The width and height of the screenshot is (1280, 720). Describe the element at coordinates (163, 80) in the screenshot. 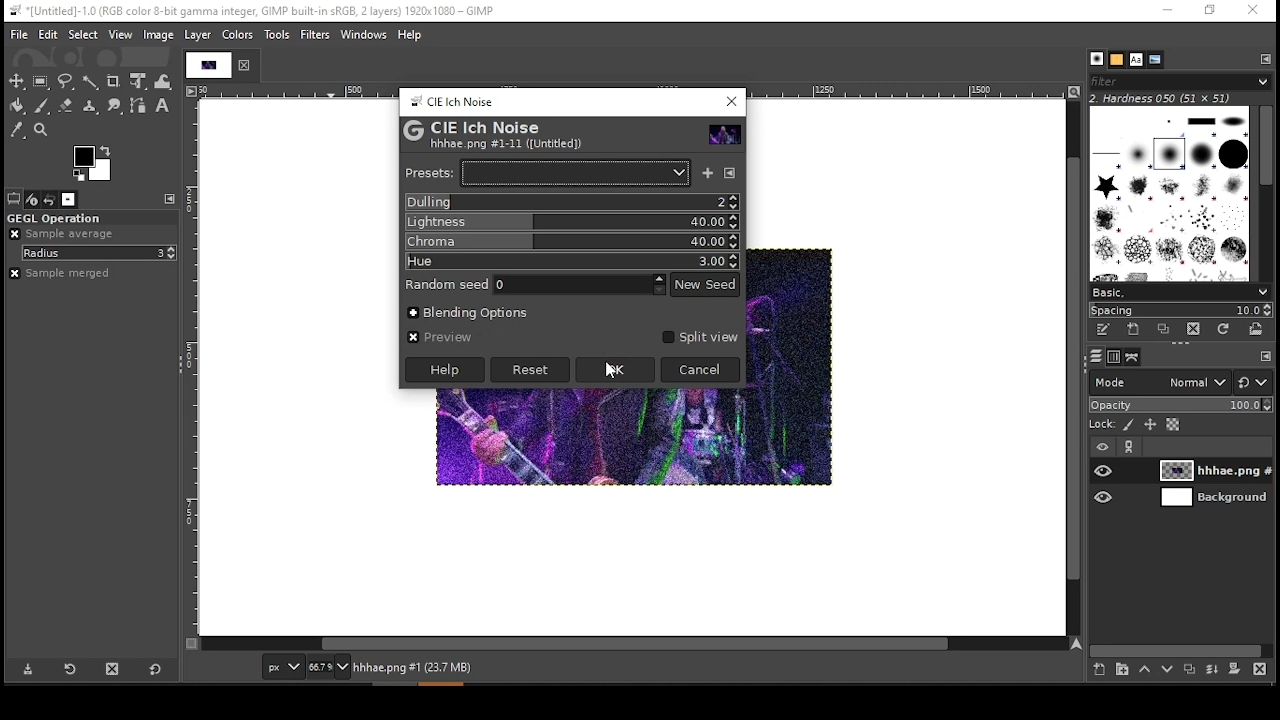

I see `warp transform tool` at that location.